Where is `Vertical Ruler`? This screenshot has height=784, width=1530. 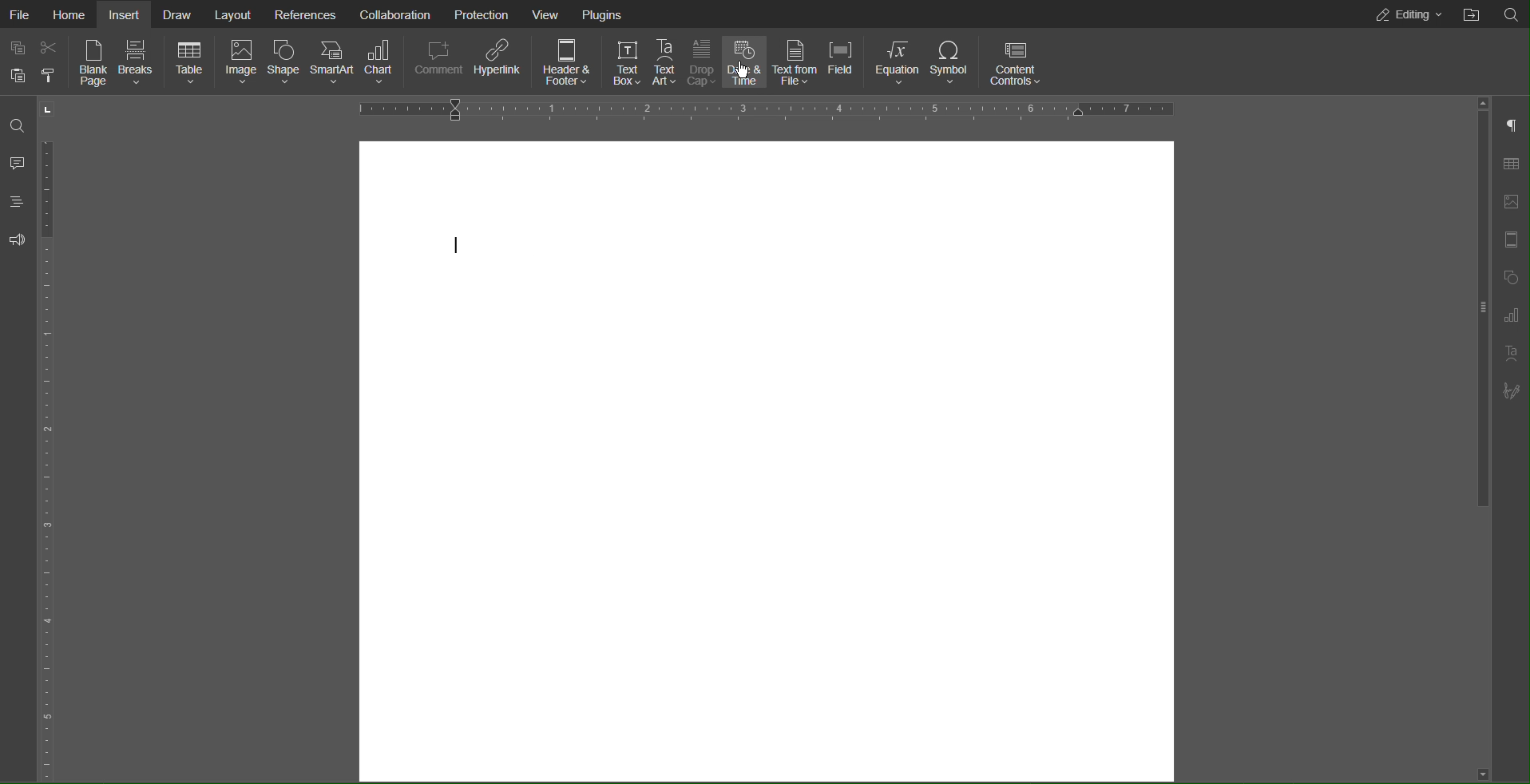
Vertical Ruler is located at coordinates (54, 467).